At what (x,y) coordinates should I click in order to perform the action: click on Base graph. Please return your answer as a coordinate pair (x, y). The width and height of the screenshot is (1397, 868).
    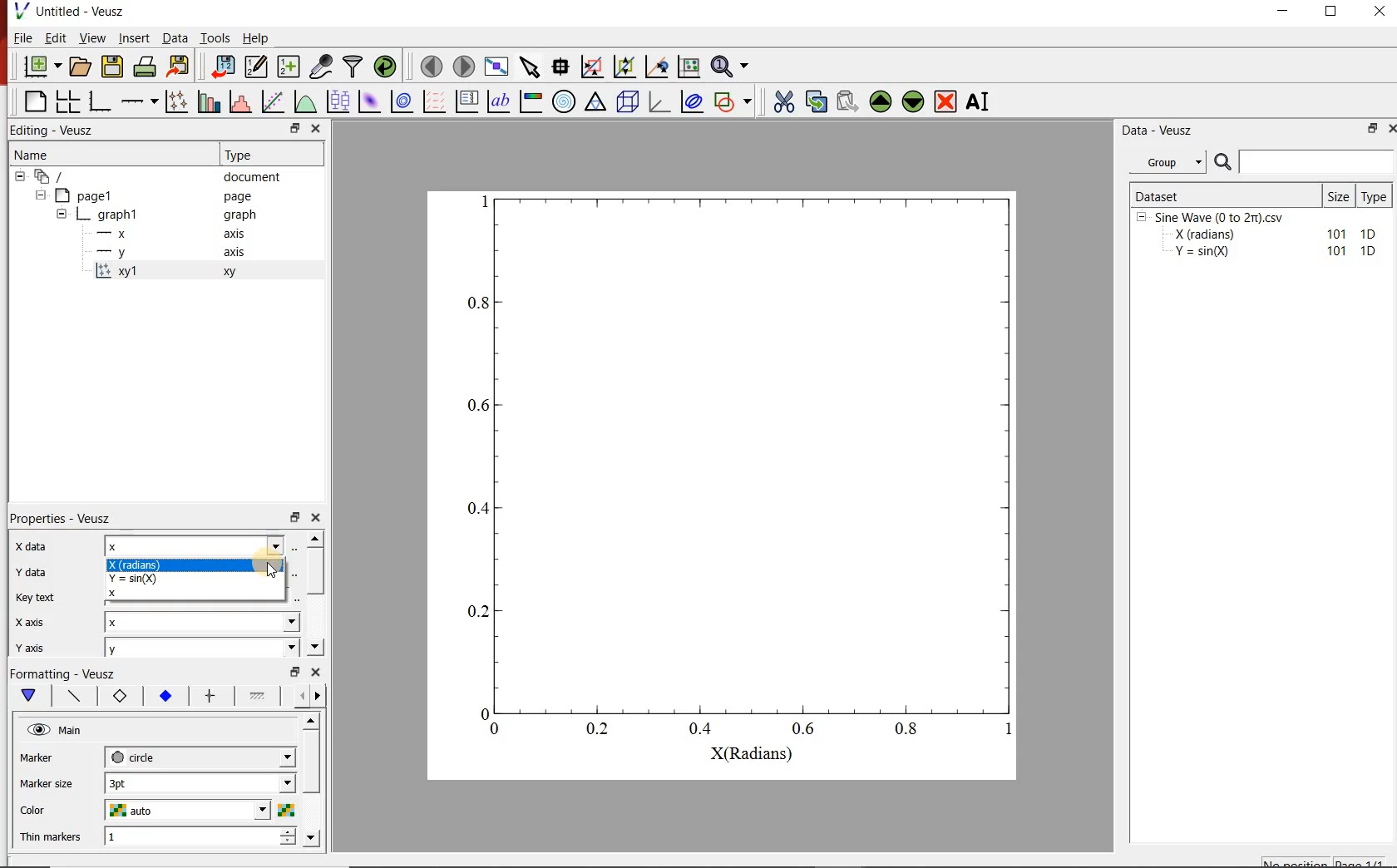
    Looking at the image, I should click on (101, 101).